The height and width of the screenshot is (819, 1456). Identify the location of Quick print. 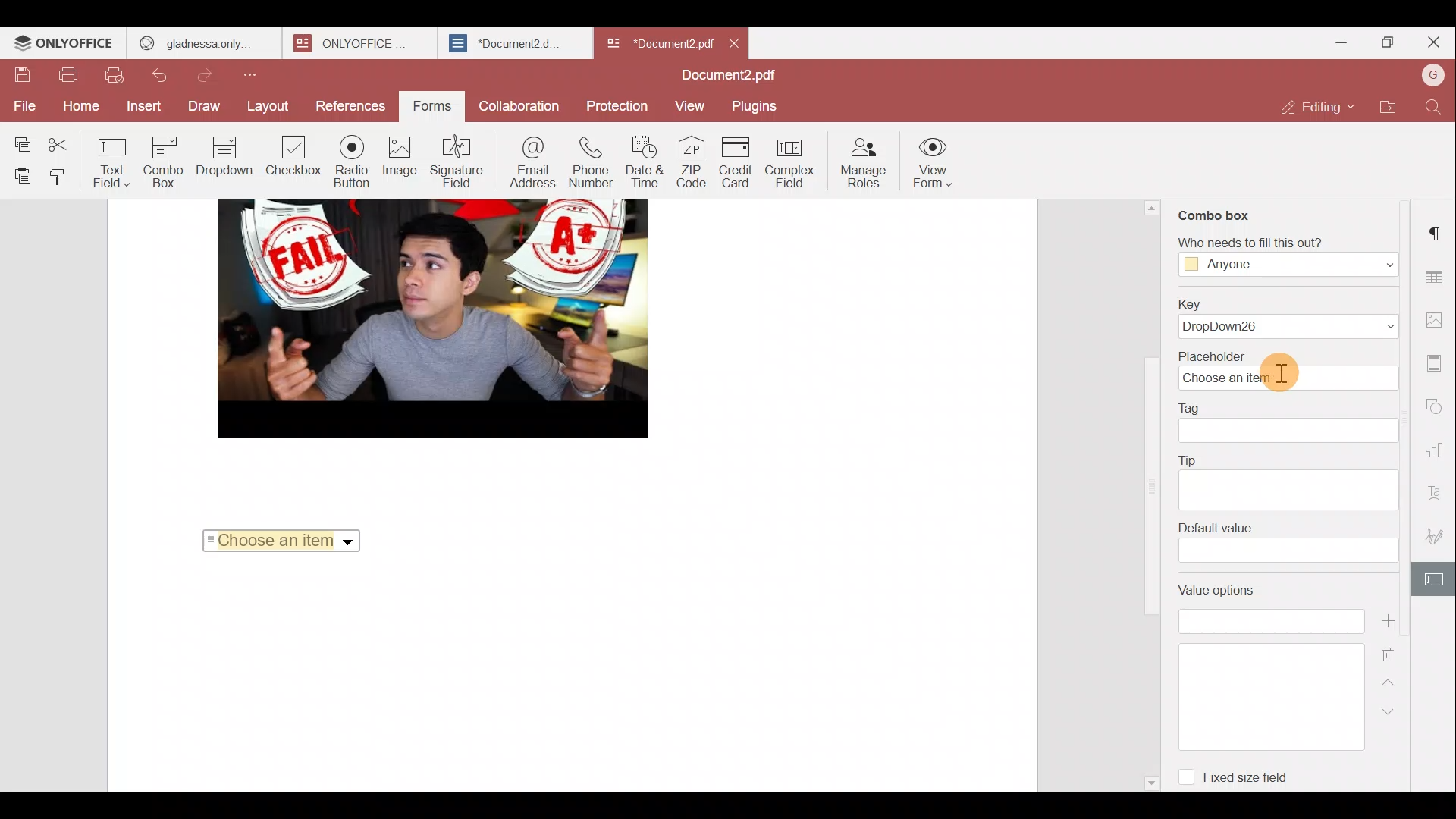
(114, 76).